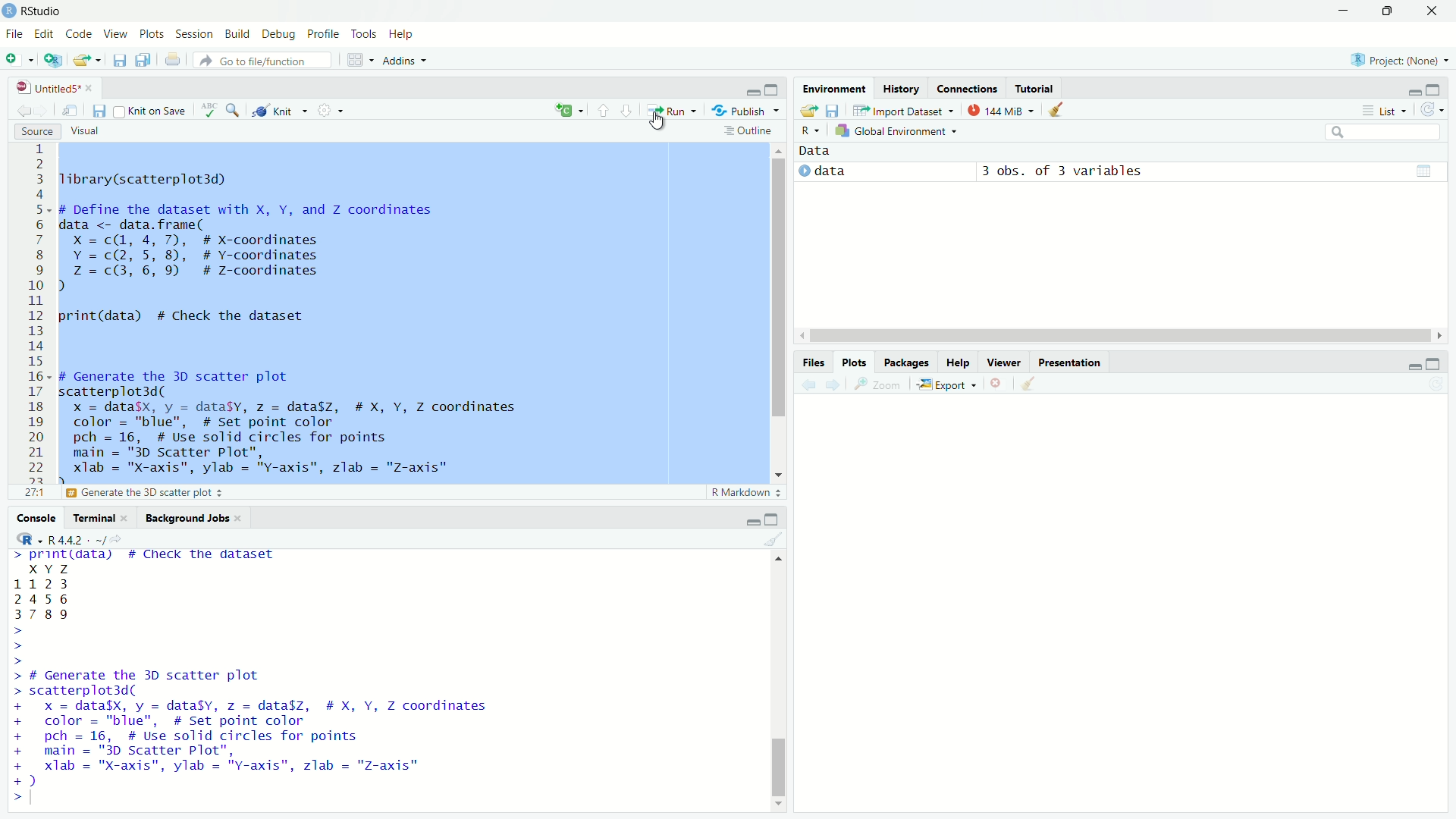  What do you see at coordinates (832, 385) in the screenshot?
I see `next plot` at bounding box center [832, 385].